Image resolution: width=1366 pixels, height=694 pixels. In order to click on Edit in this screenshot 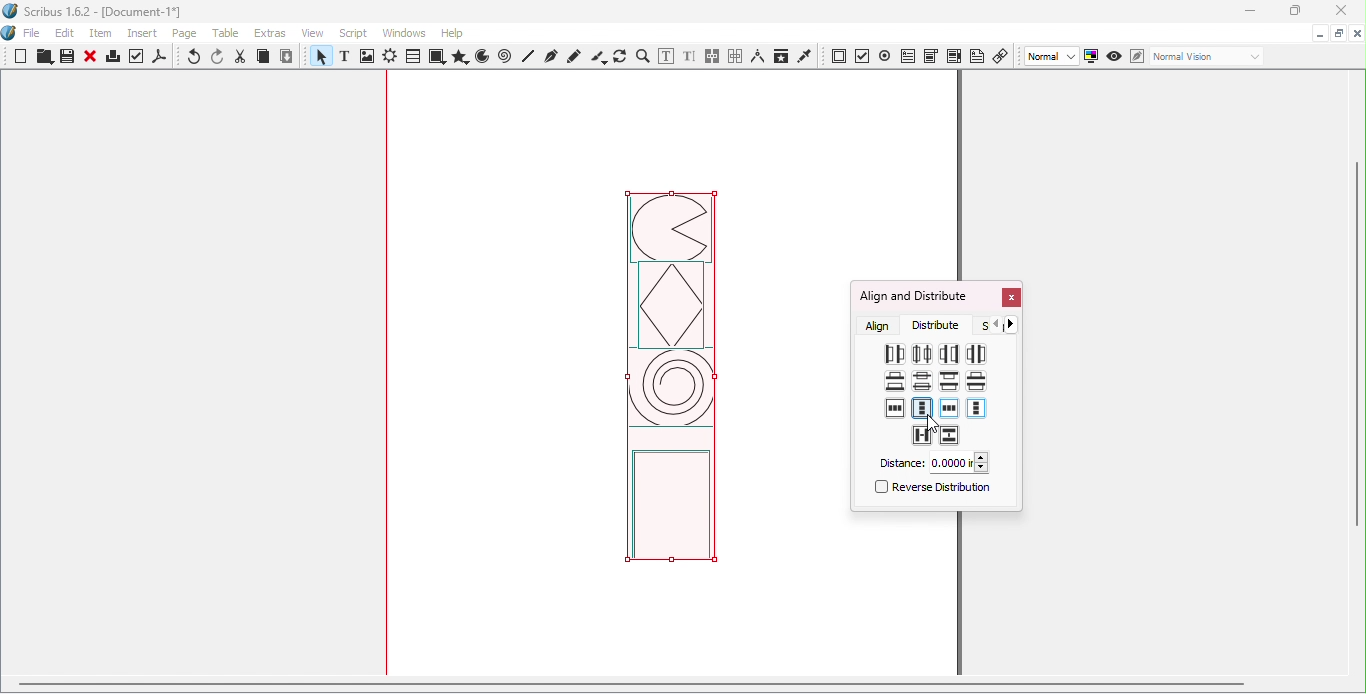, I will do `click(65, 33)`.